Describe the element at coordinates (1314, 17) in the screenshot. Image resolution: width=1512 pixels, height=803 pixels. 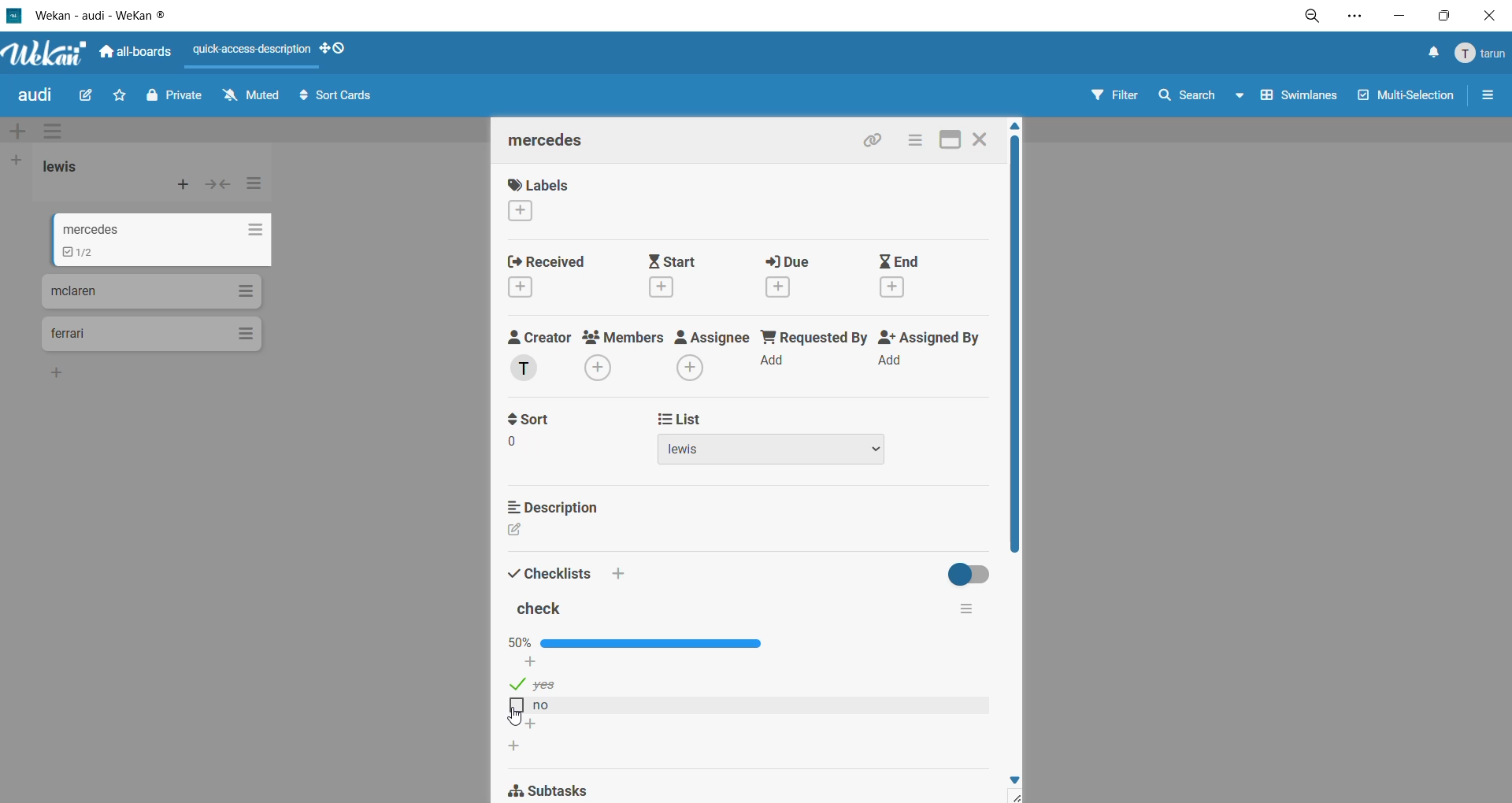
I see `zoom` at that location.